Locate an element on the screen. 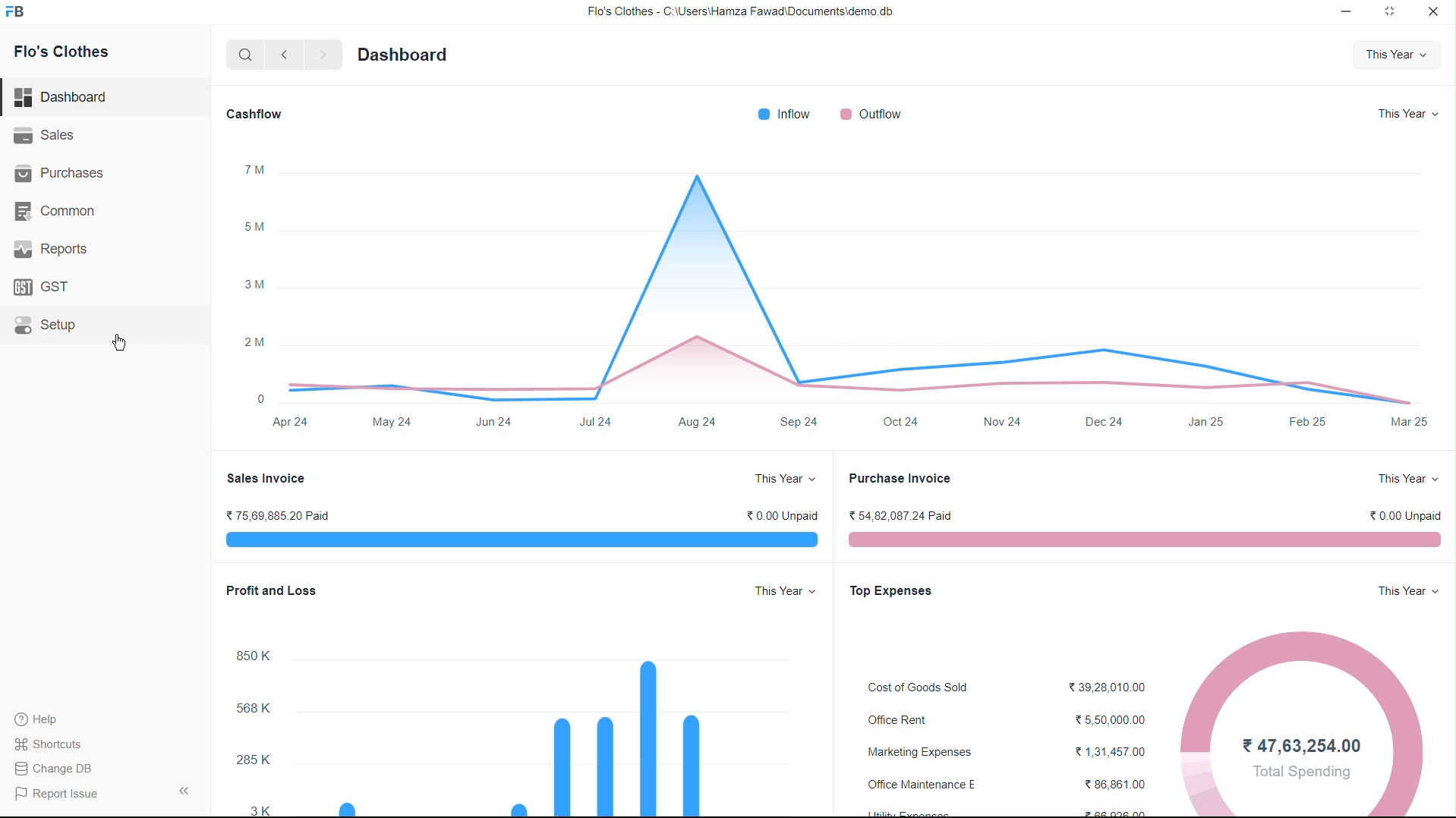 Image resolution: width=1456 pixels, height=818 pixels. This year is located at coordinates (1409, 477).